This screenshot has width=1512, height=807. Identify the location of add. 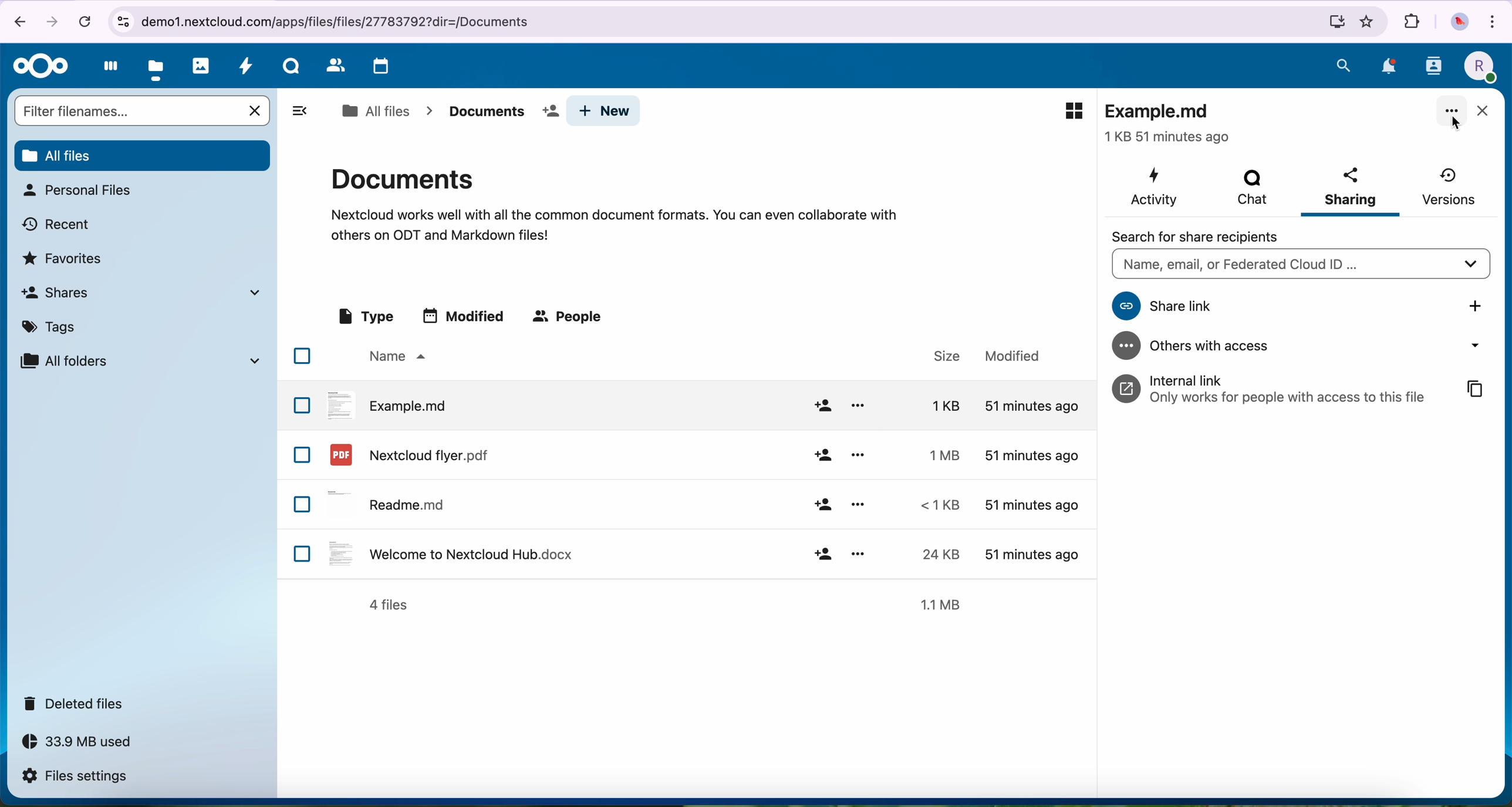
(822, 505).